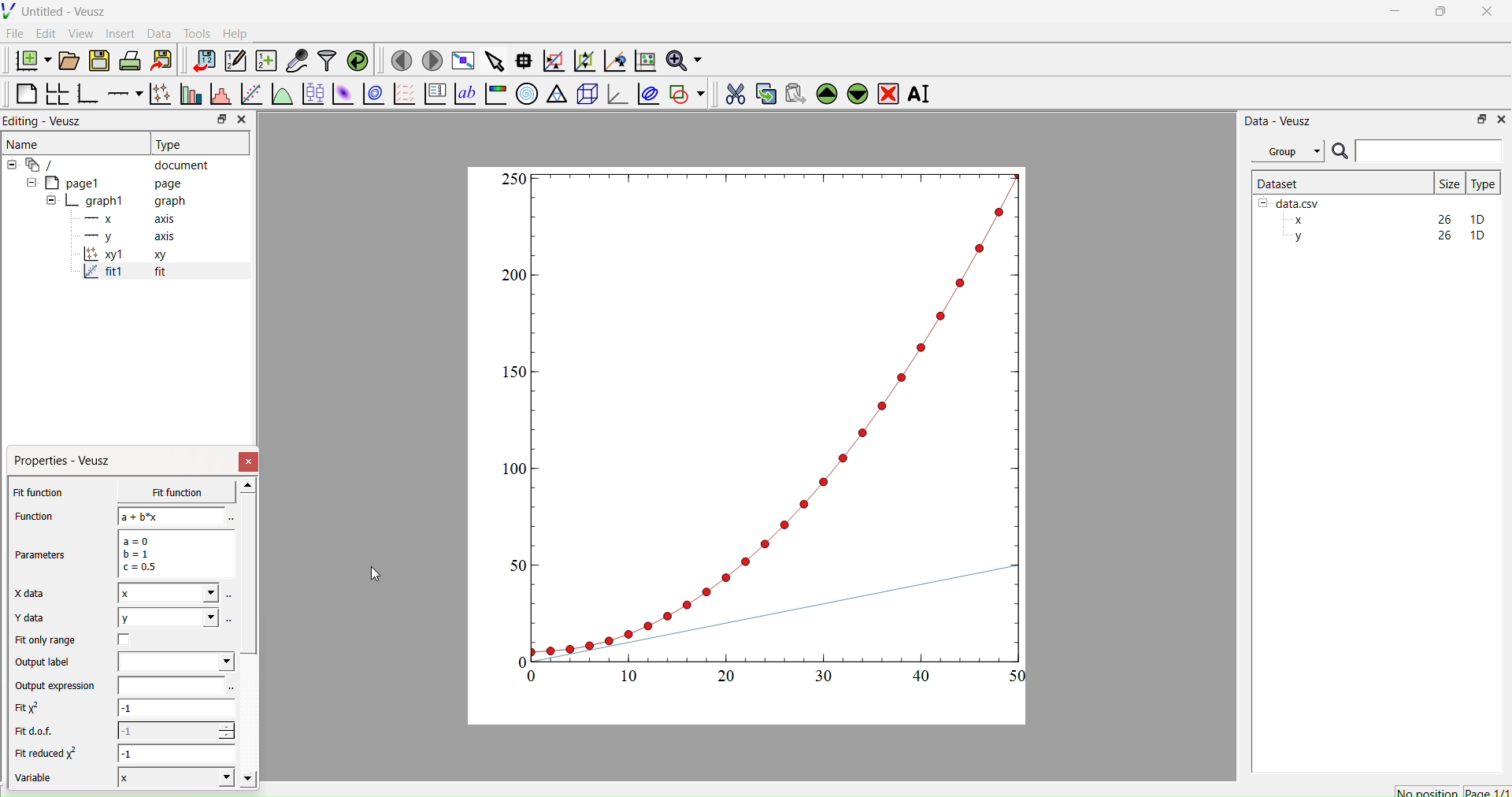 This screenshot has height=797, width=1512. What do you see at coordinates (15, 33) in the screenshot?
I see `File` at bounding box center [15, 33].